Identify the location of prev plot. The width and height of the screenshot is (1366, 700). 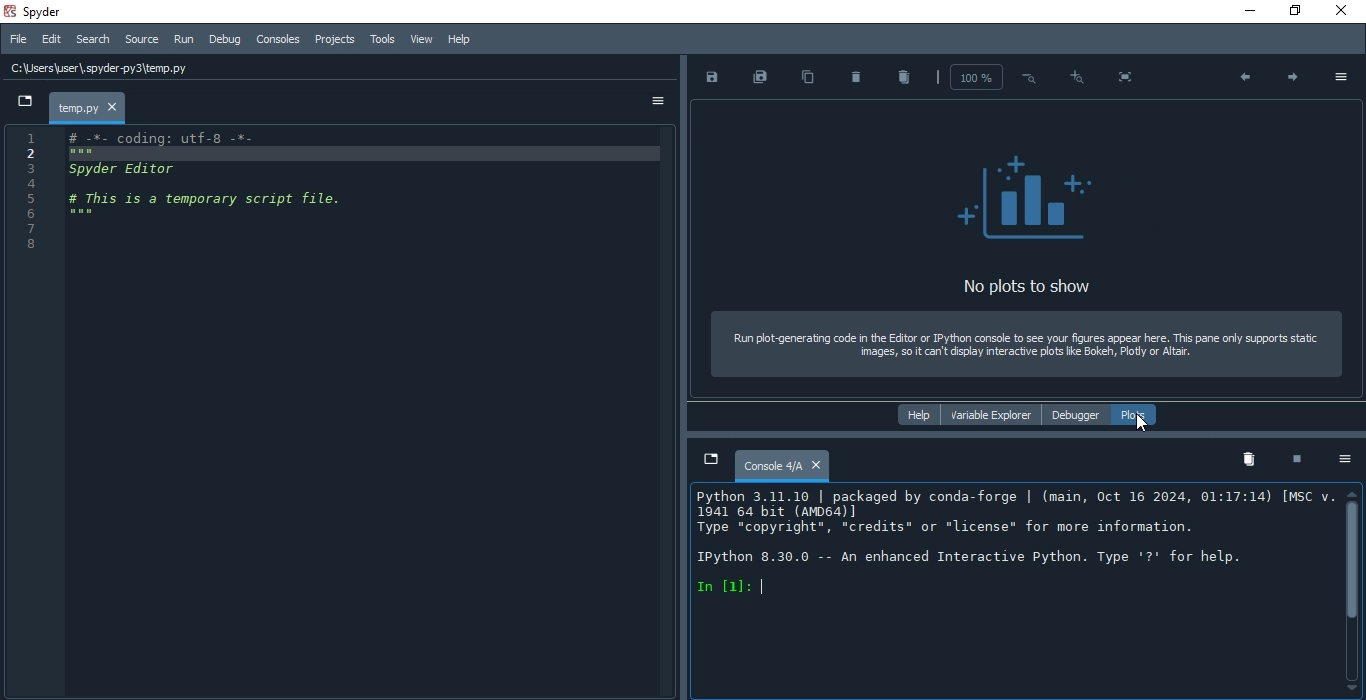
(1240, 79).